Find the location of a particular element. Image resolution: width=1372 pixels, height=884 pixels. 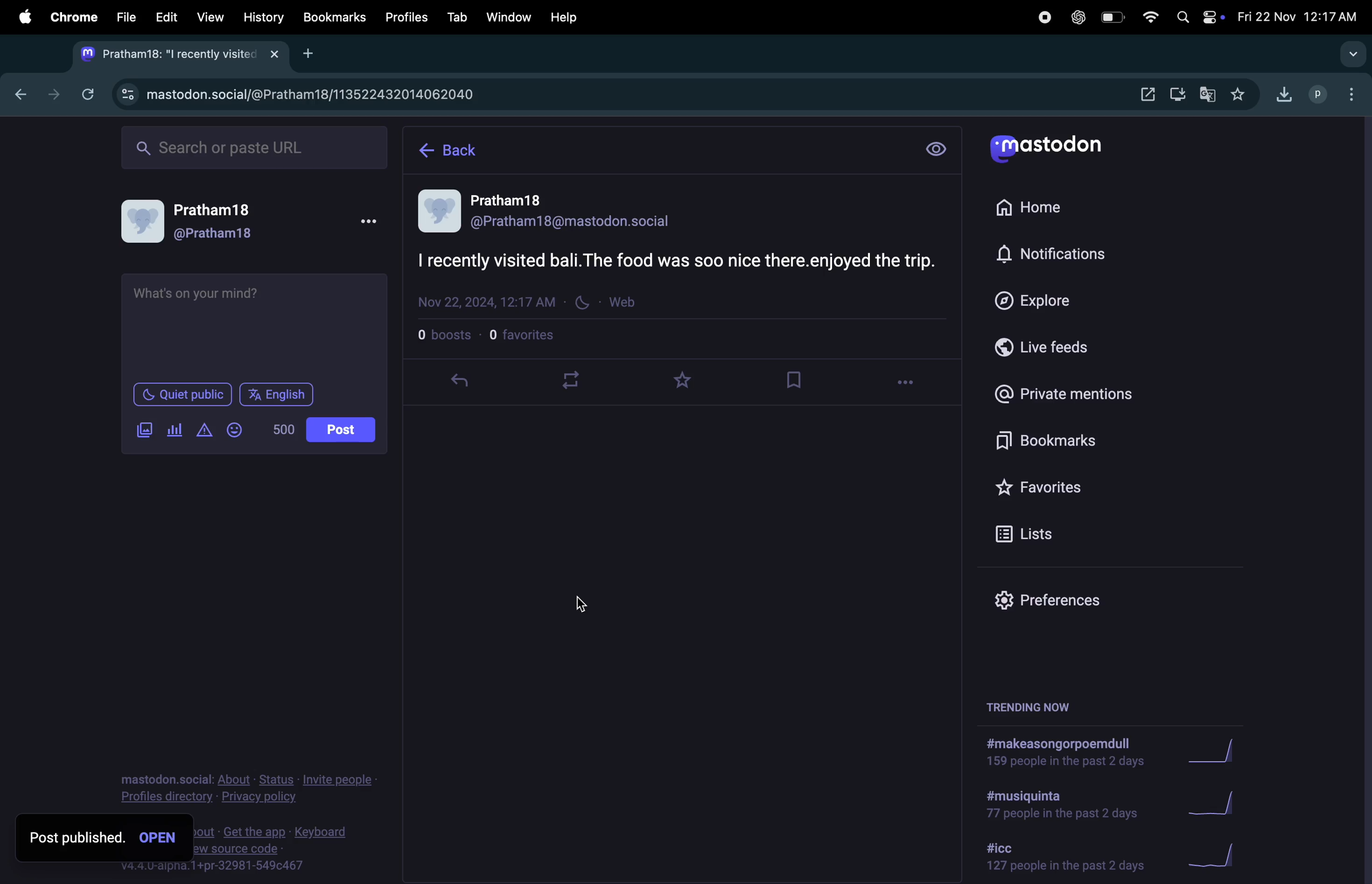

options is located at coordinates (1349, 94).